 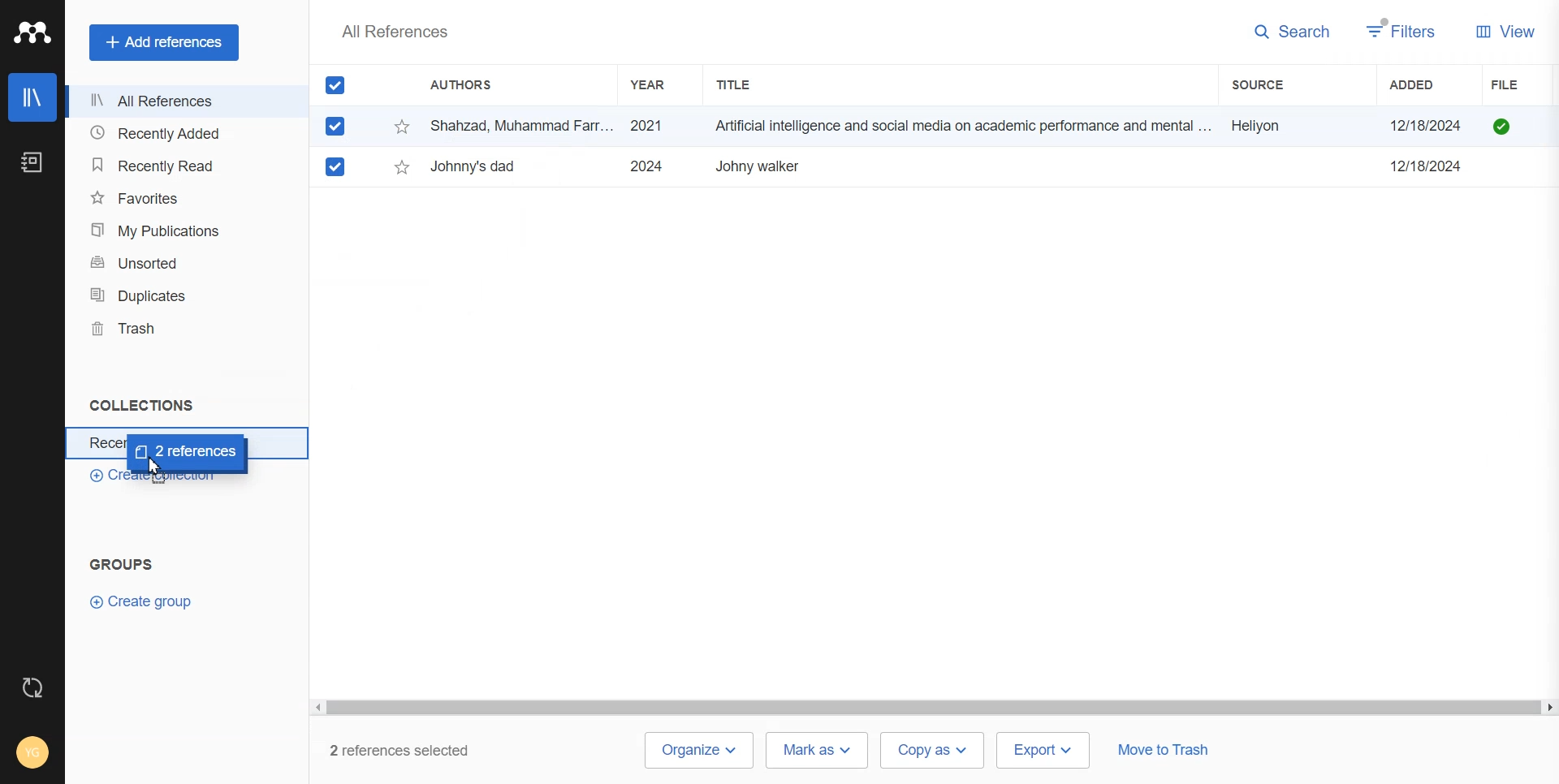 I want to click on Drag Cursor, so click(x=188, y=454).